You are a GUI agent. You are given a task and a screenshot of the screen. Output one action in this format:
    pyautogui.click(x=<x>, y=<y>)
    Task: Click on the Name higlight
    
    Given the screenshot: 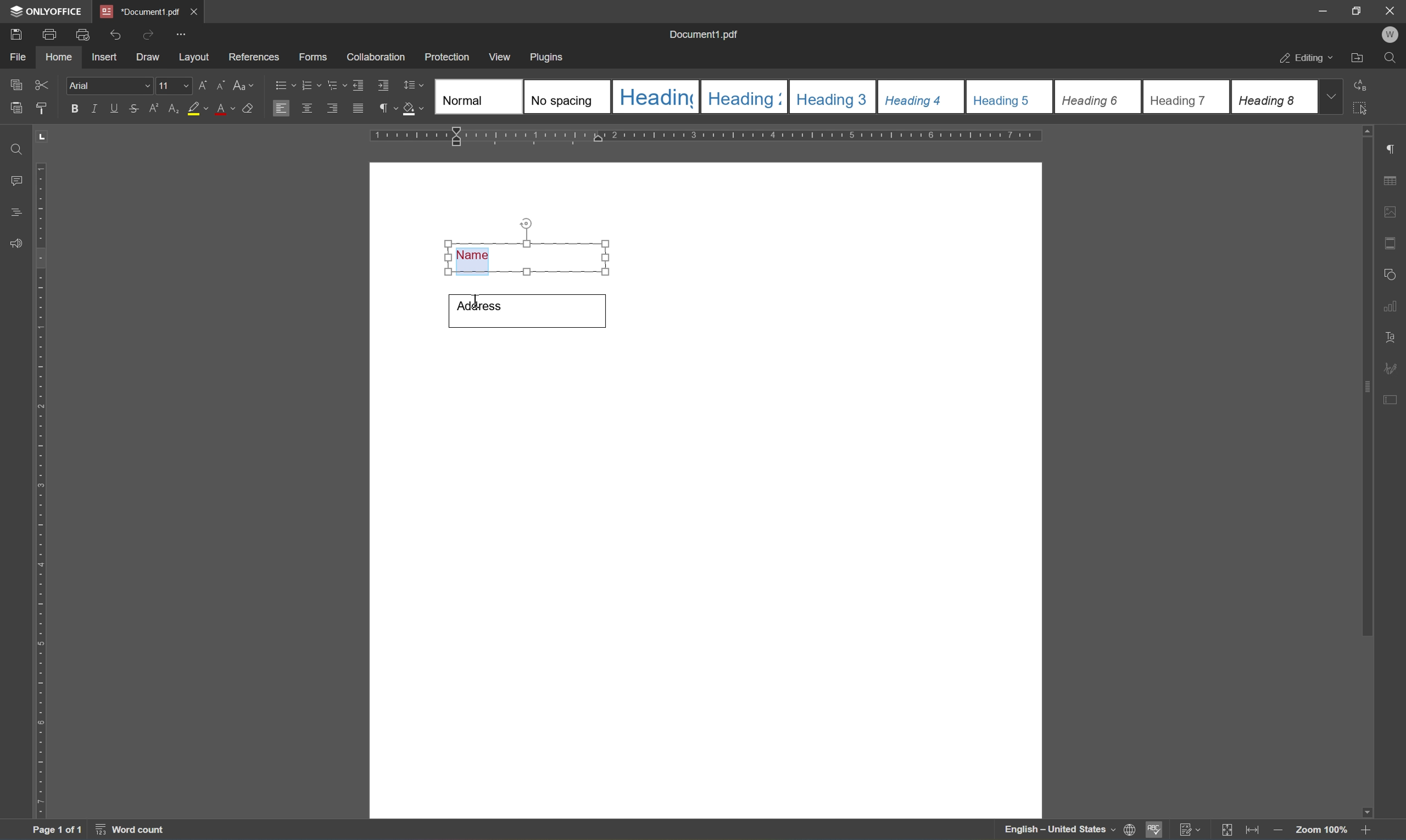 What is the action you would take?
    pyautogui.click(x=525, y=246)
    